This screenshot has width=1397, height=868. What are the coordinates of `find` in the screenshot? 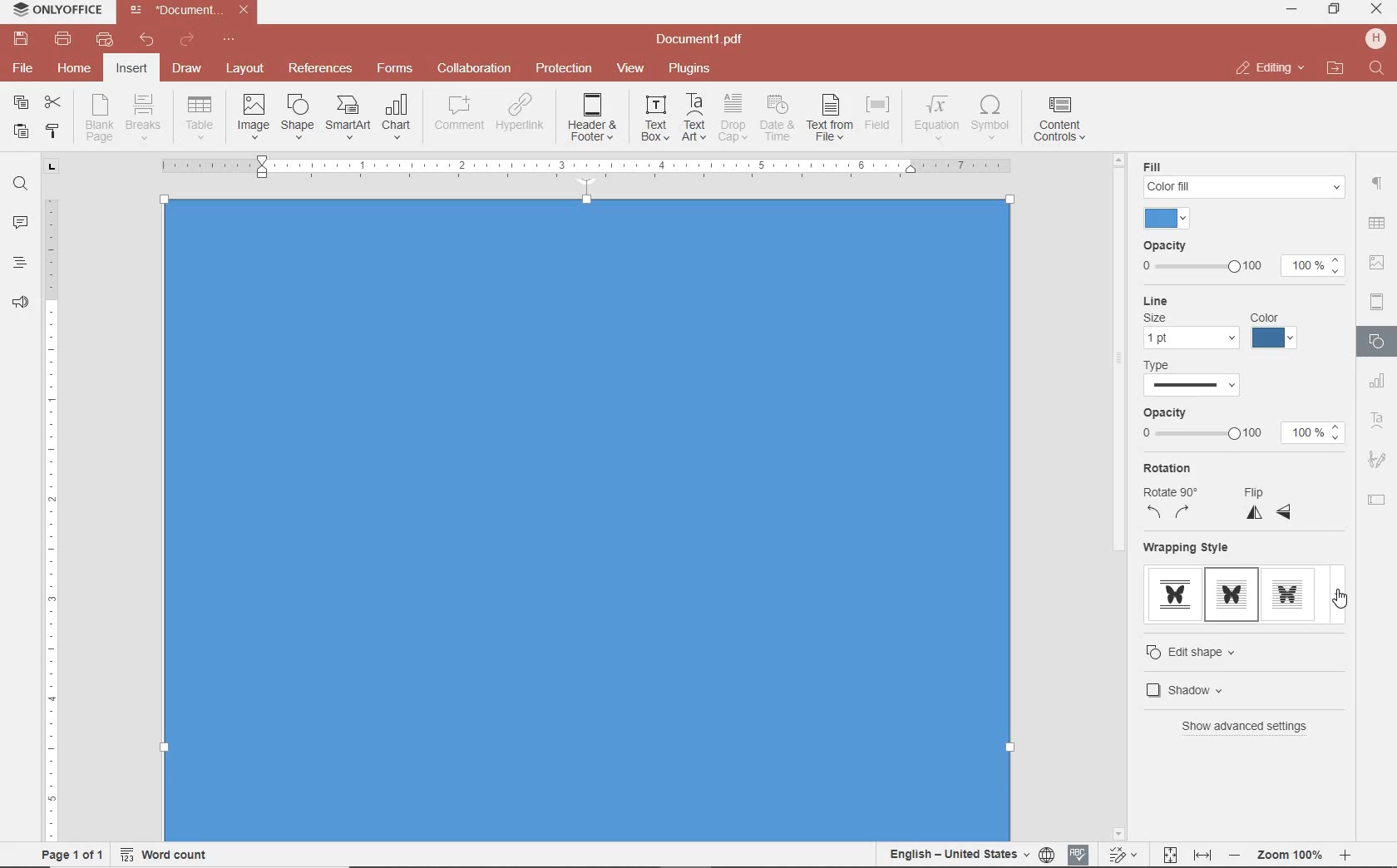 It's located at (1379, 69).